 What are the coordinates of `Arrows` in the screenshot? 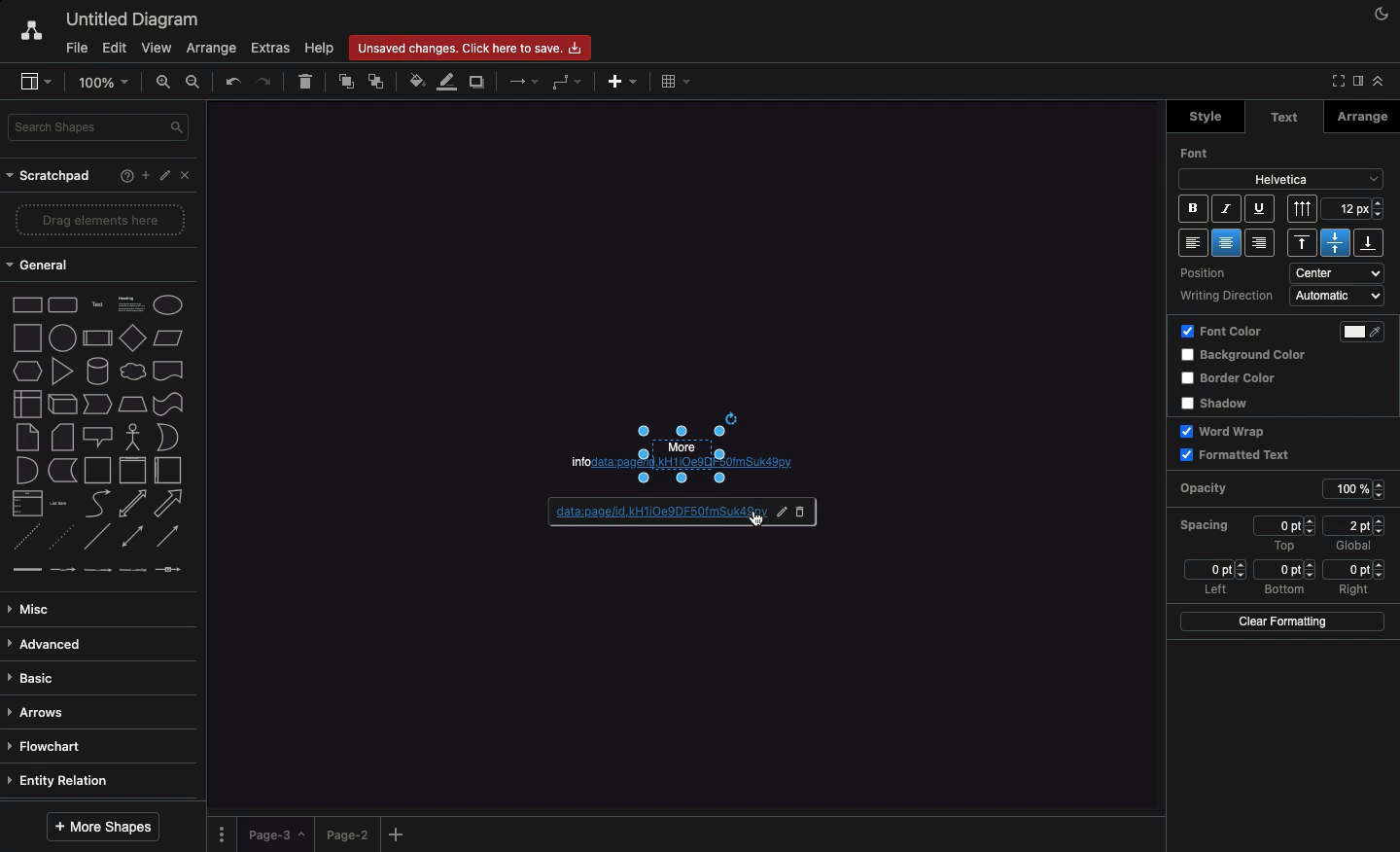 It's located at (40, 714).